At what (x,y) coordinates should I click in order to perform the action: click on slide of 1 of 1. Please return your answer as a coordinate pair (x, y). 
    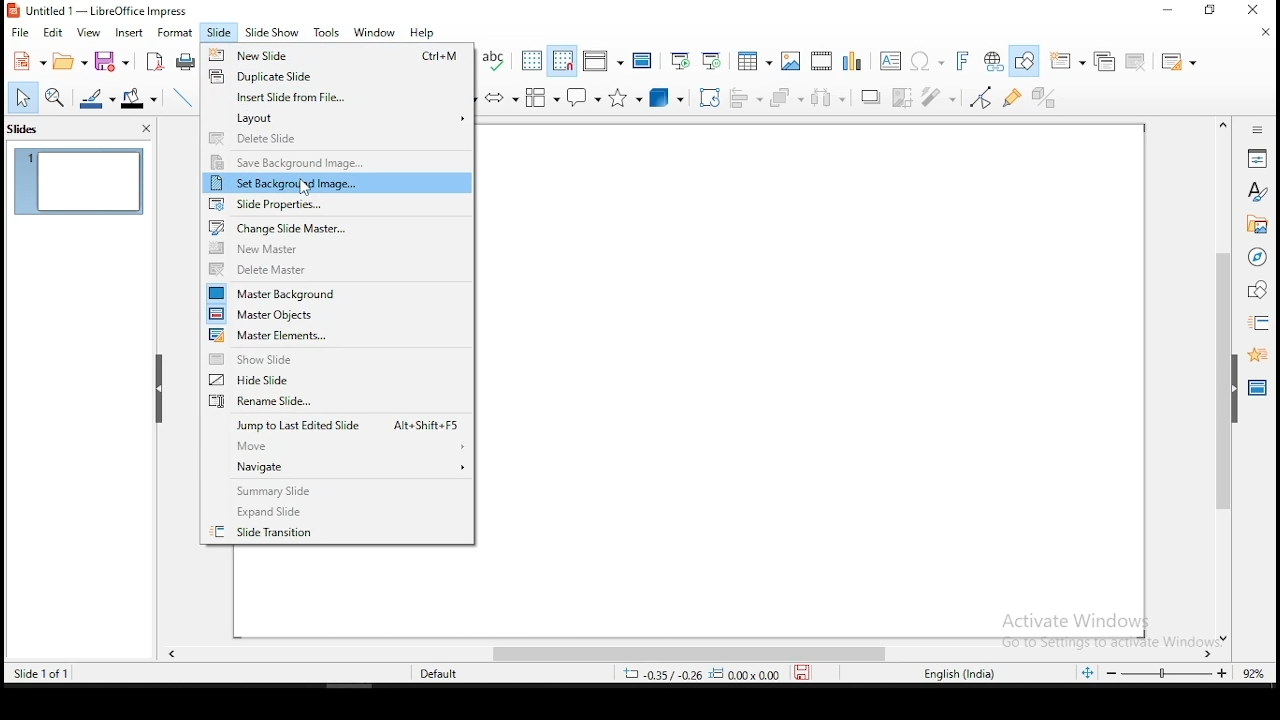
    Looking at the image, I should click on (43, 673).